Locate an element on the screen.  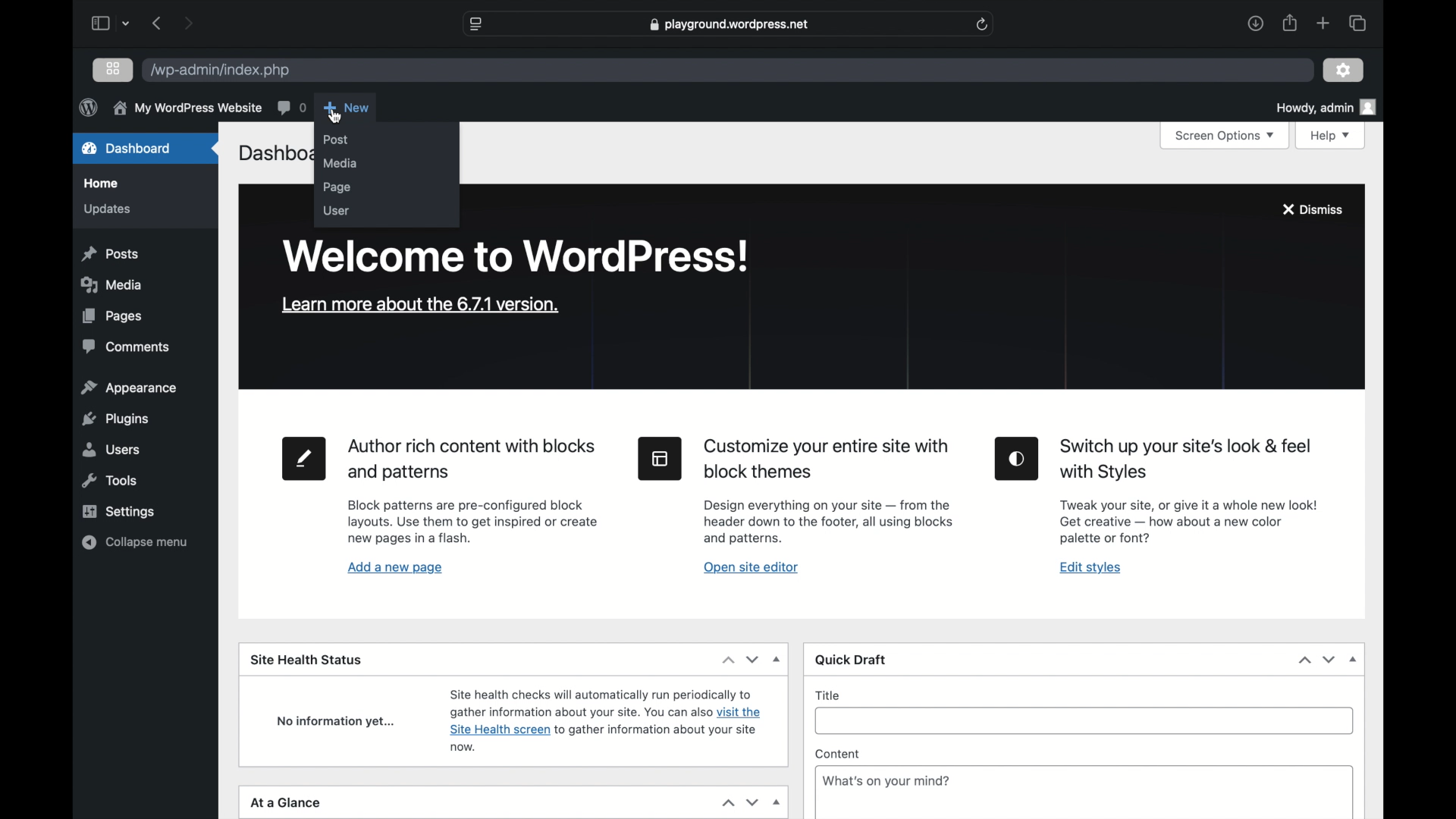
help is located at coordinates (1332, 135).